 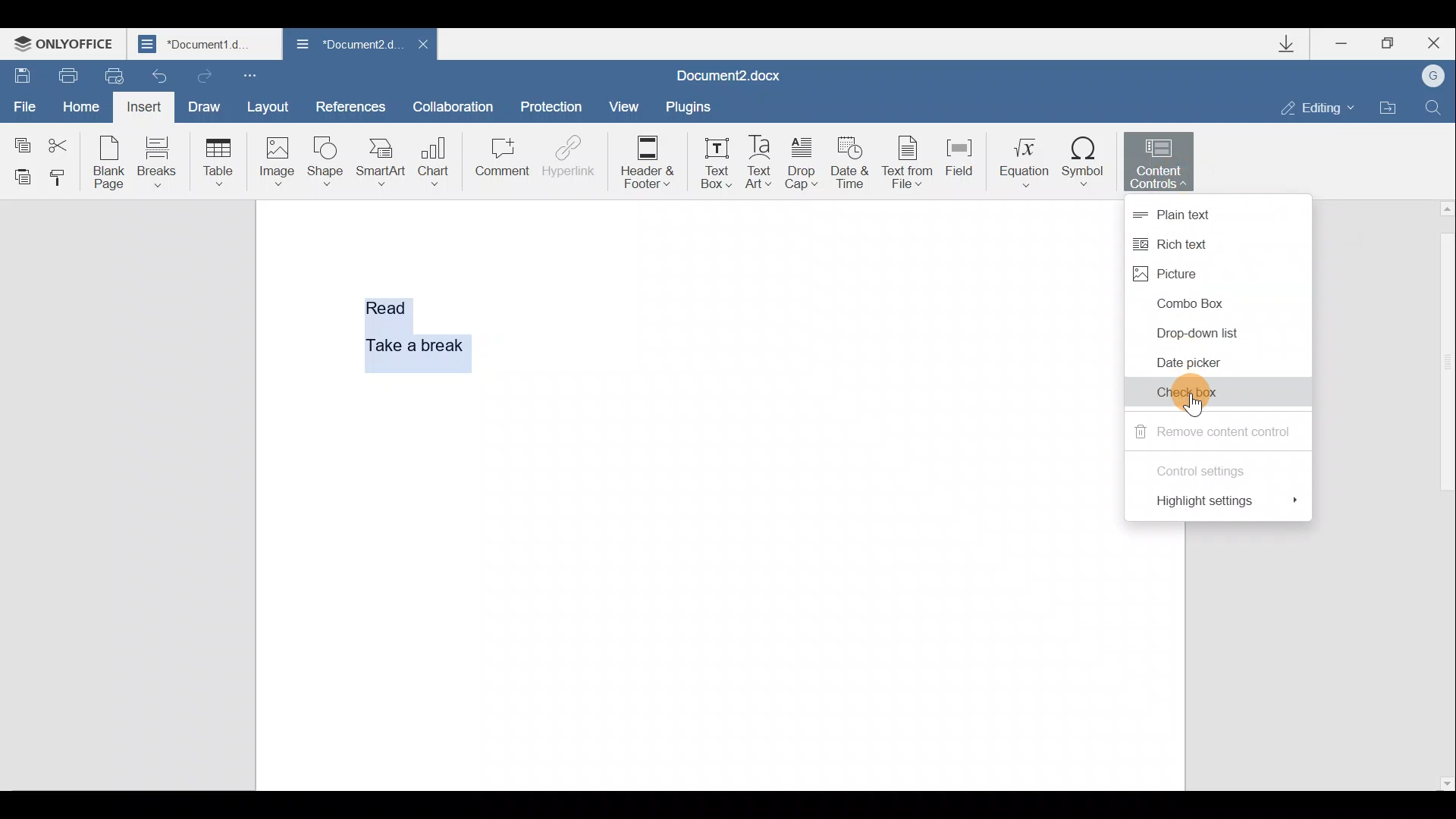 I want to click on  Blank page, so click(x=109, y=162).